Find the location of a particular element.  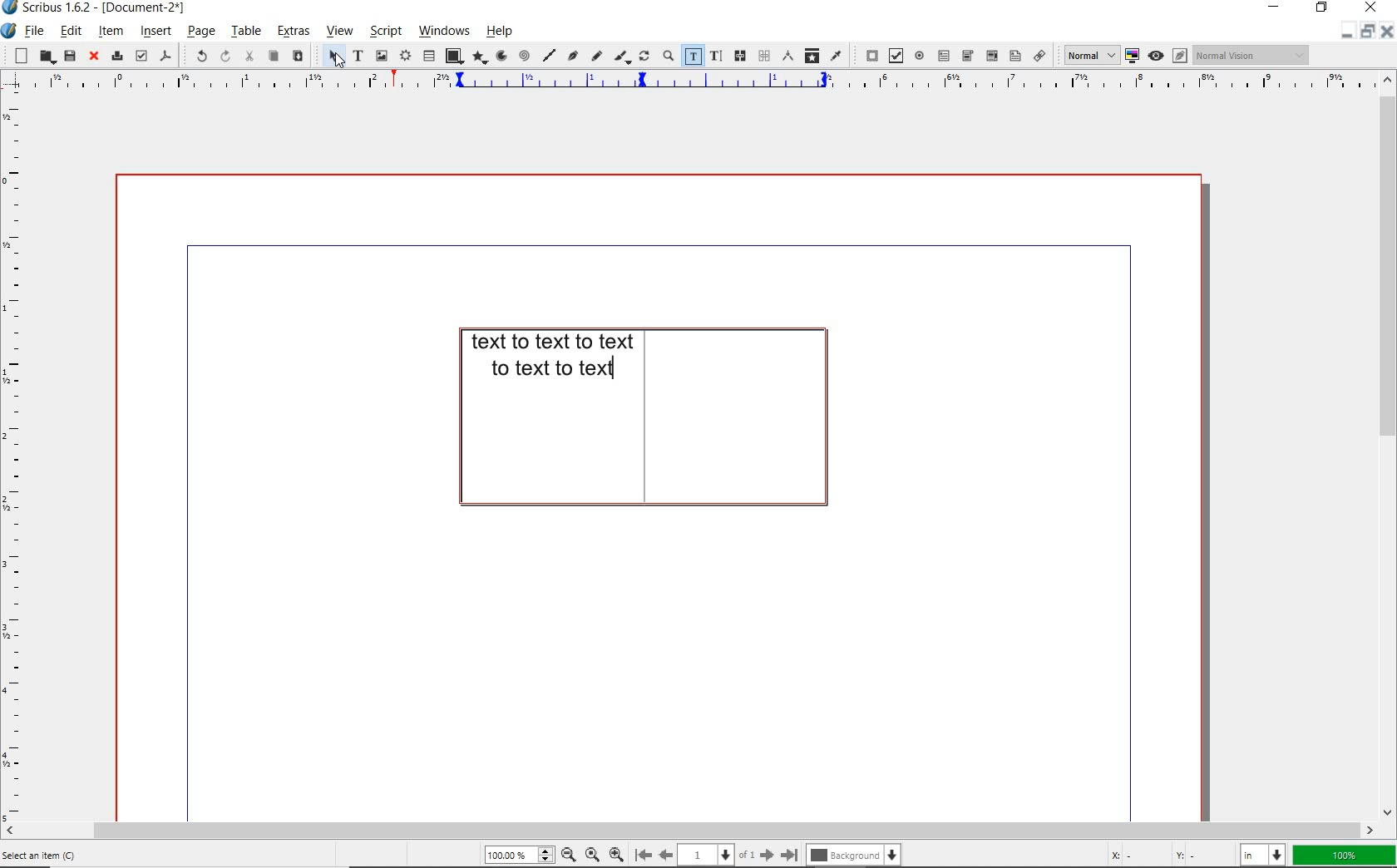

pdf check box is located at coordinates (893, 55).